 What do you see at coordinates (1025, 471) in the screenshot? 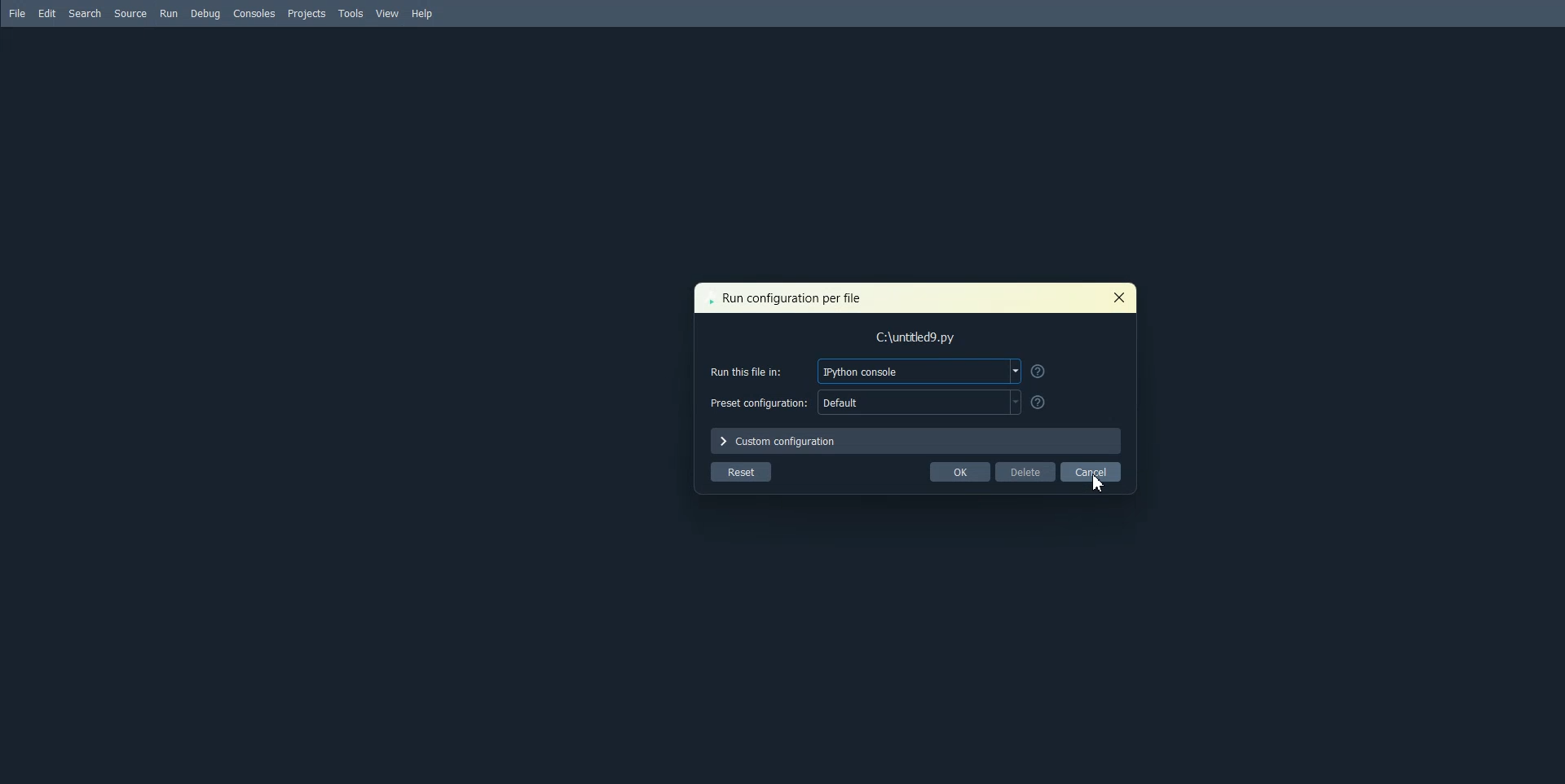
I see `Delete` at bounding box center [1025, 471].